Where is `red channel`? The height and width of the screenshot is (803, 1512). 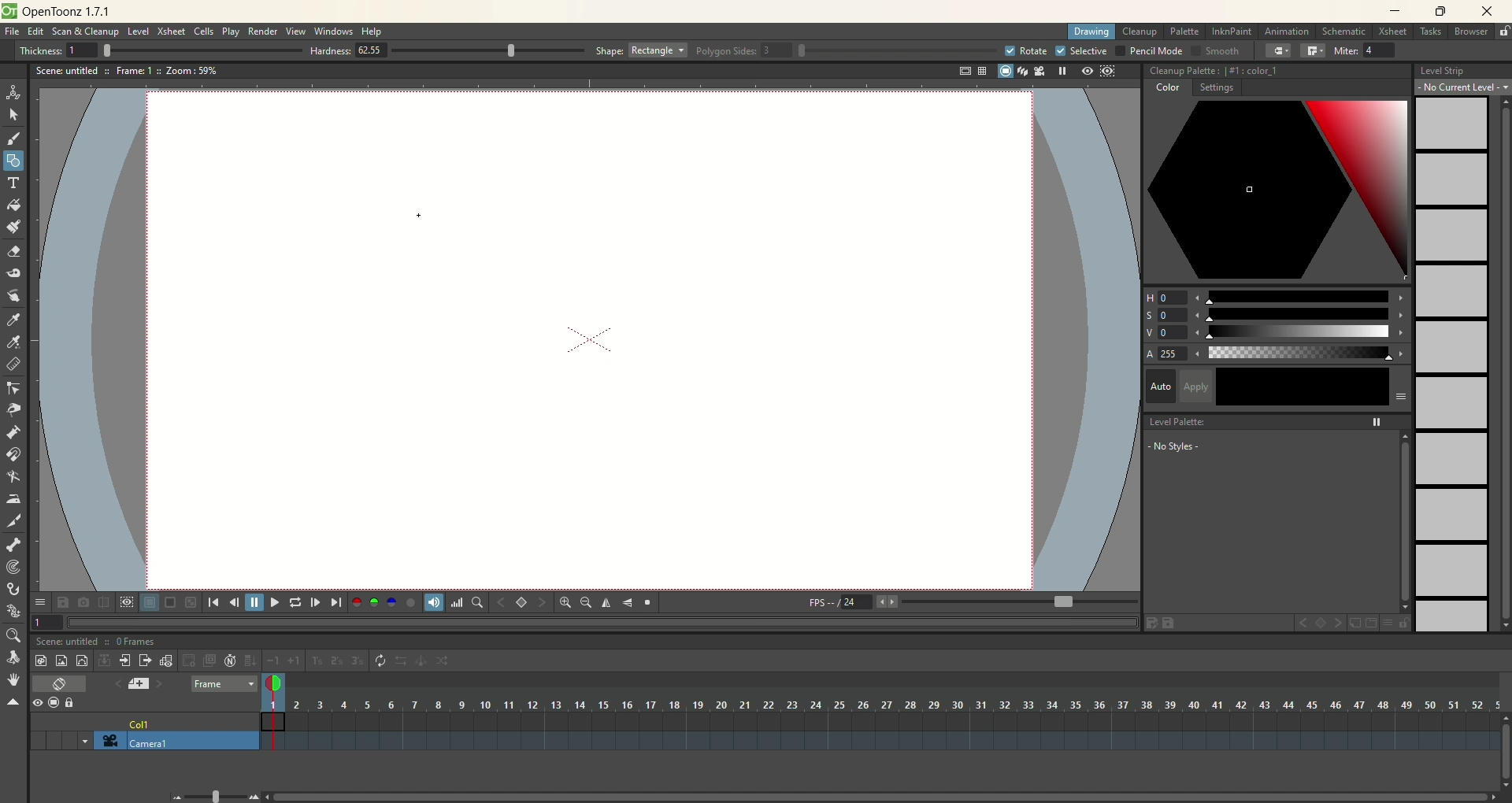 red channel is located at coordinates (357, 601).